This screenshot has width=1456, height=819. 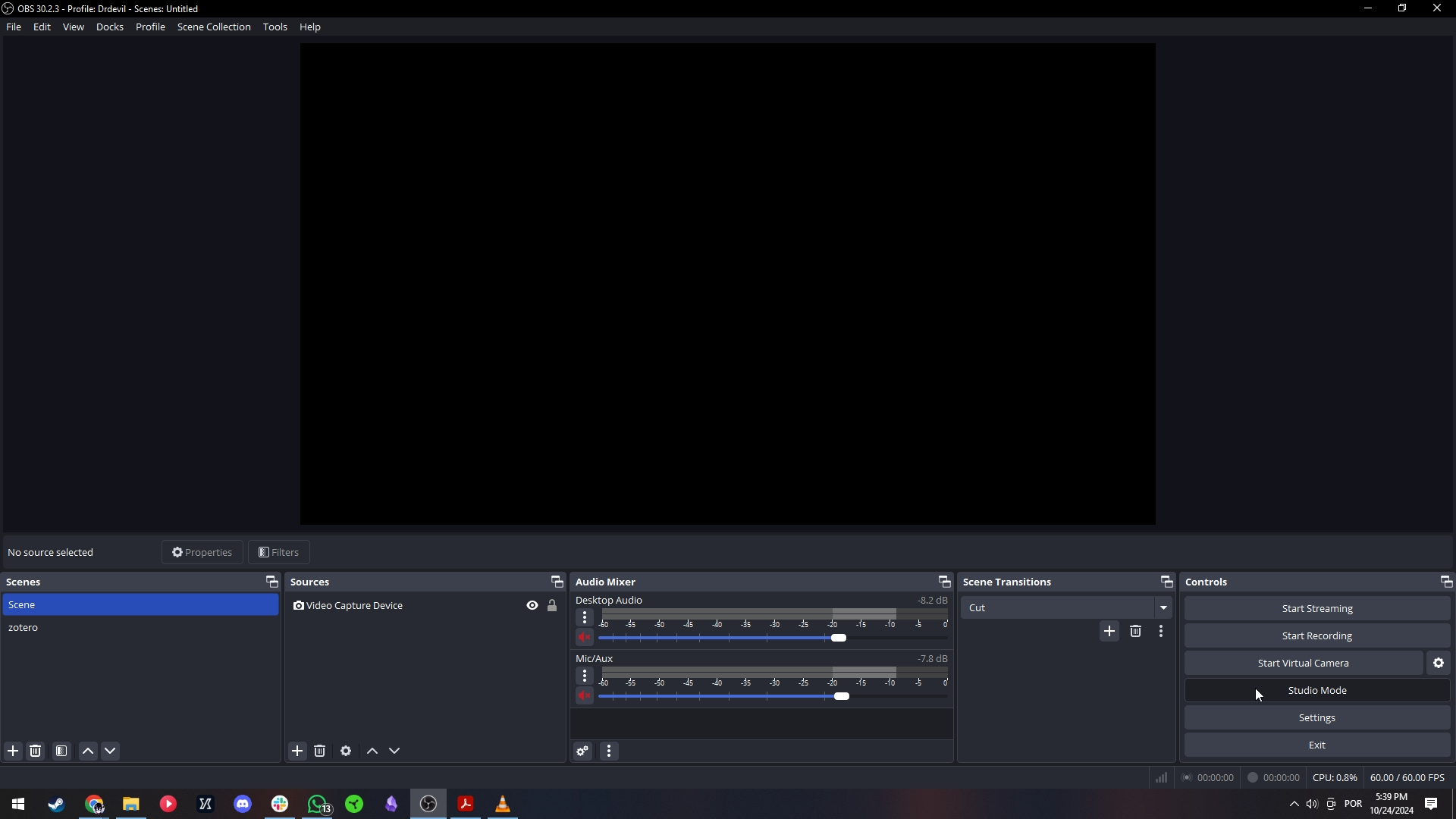 What do you see at coordinates (202, 553) in the screenshot?
I see `Properties` at bounding box center [202, 553].